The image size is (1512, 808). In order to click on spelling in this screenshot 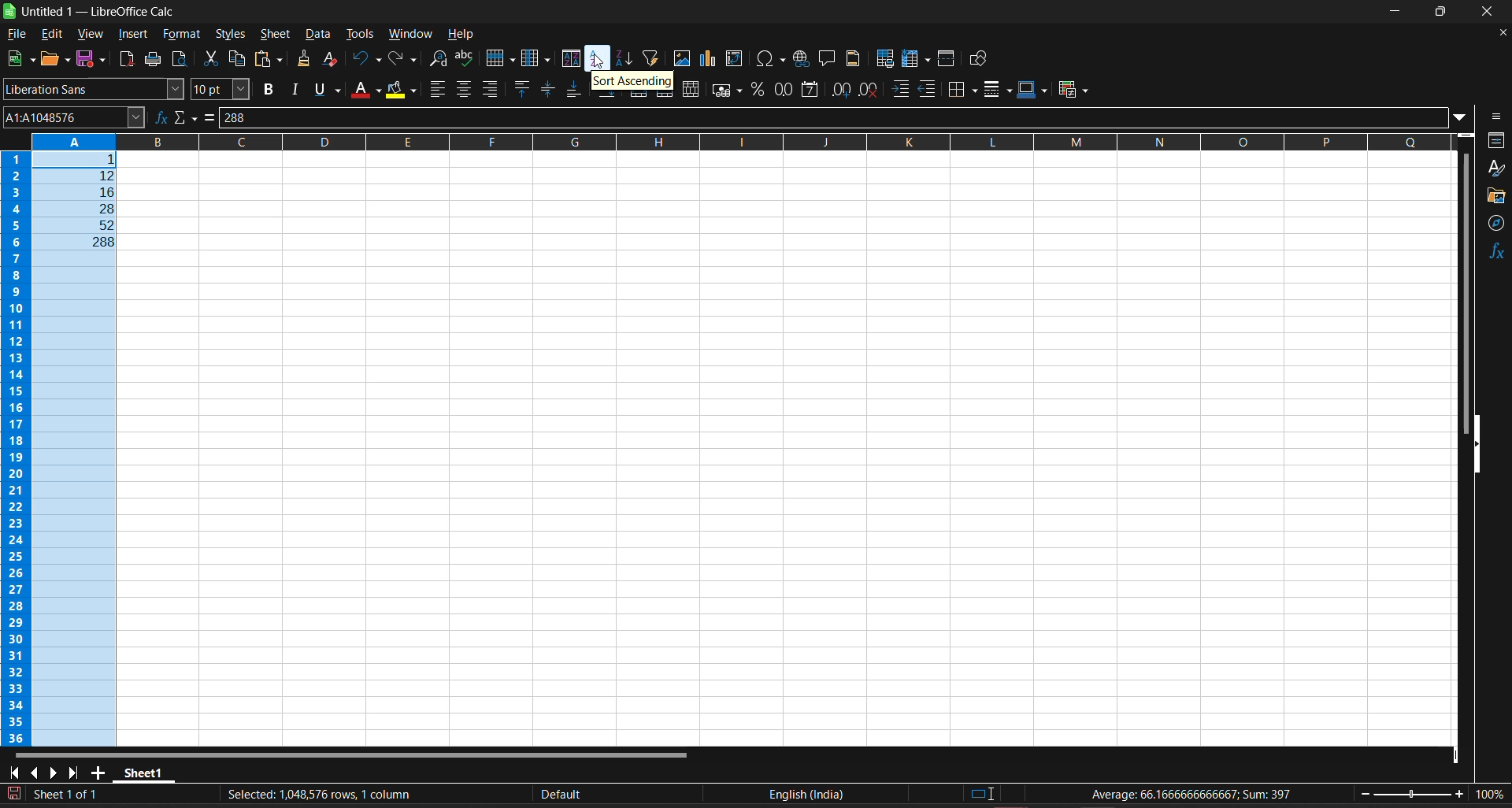, I will do `click(465, 58)`.